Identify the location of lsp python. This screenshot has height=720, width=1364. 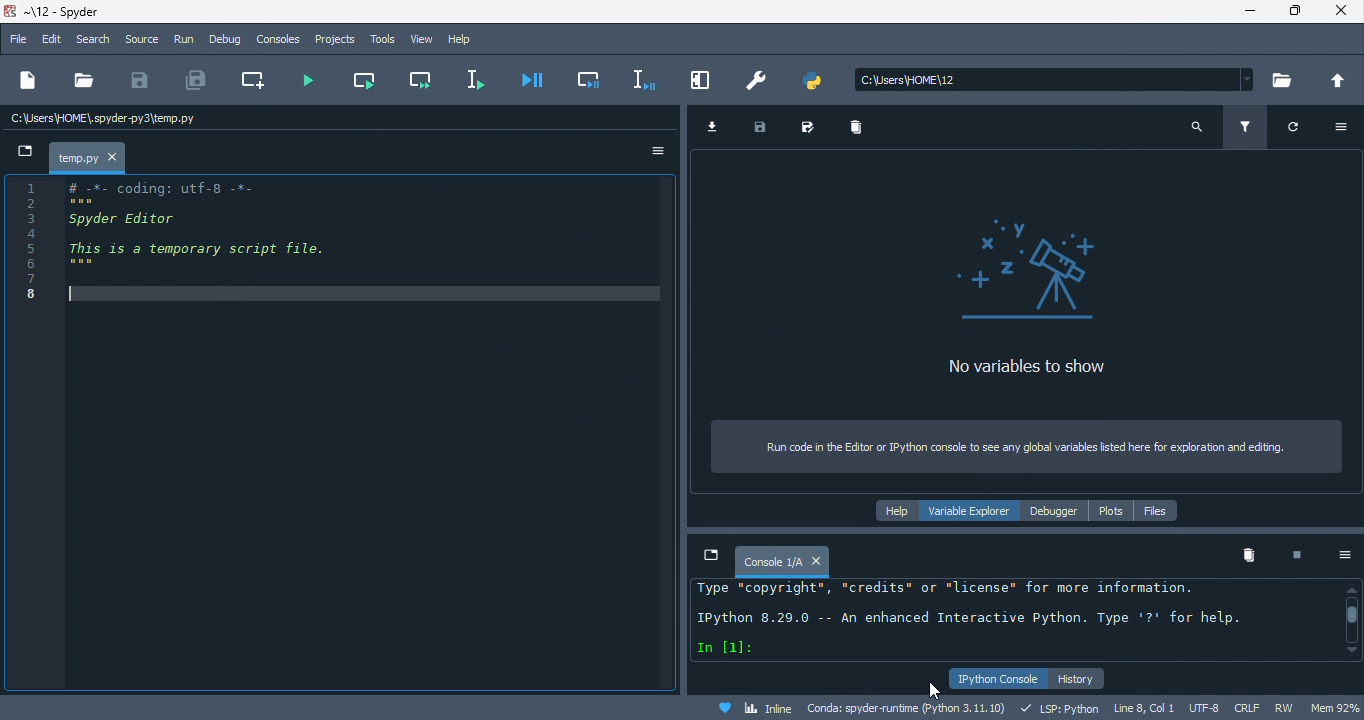
(1065, 707).